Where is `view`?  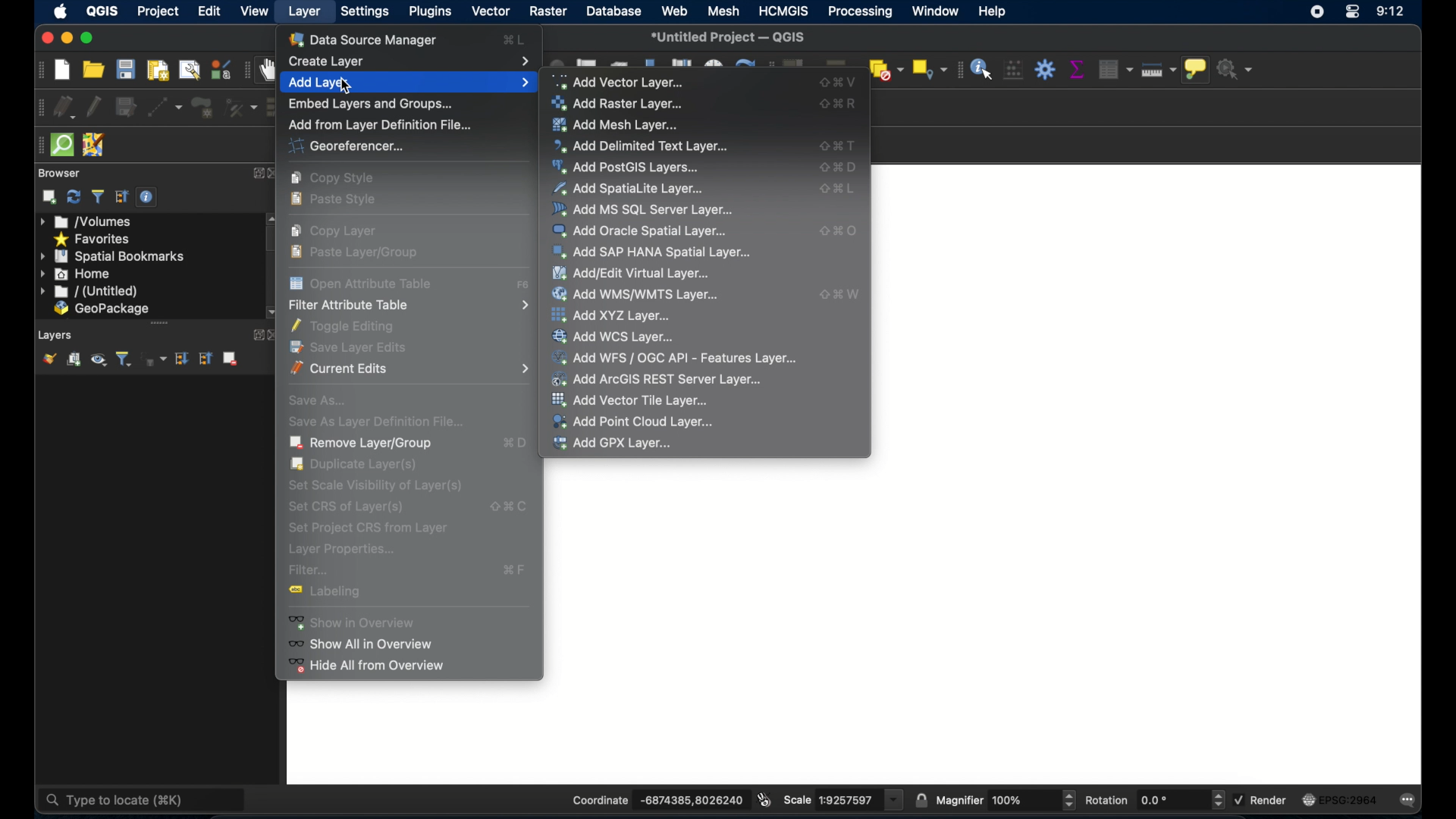 view is located at coordinates (256, 11).